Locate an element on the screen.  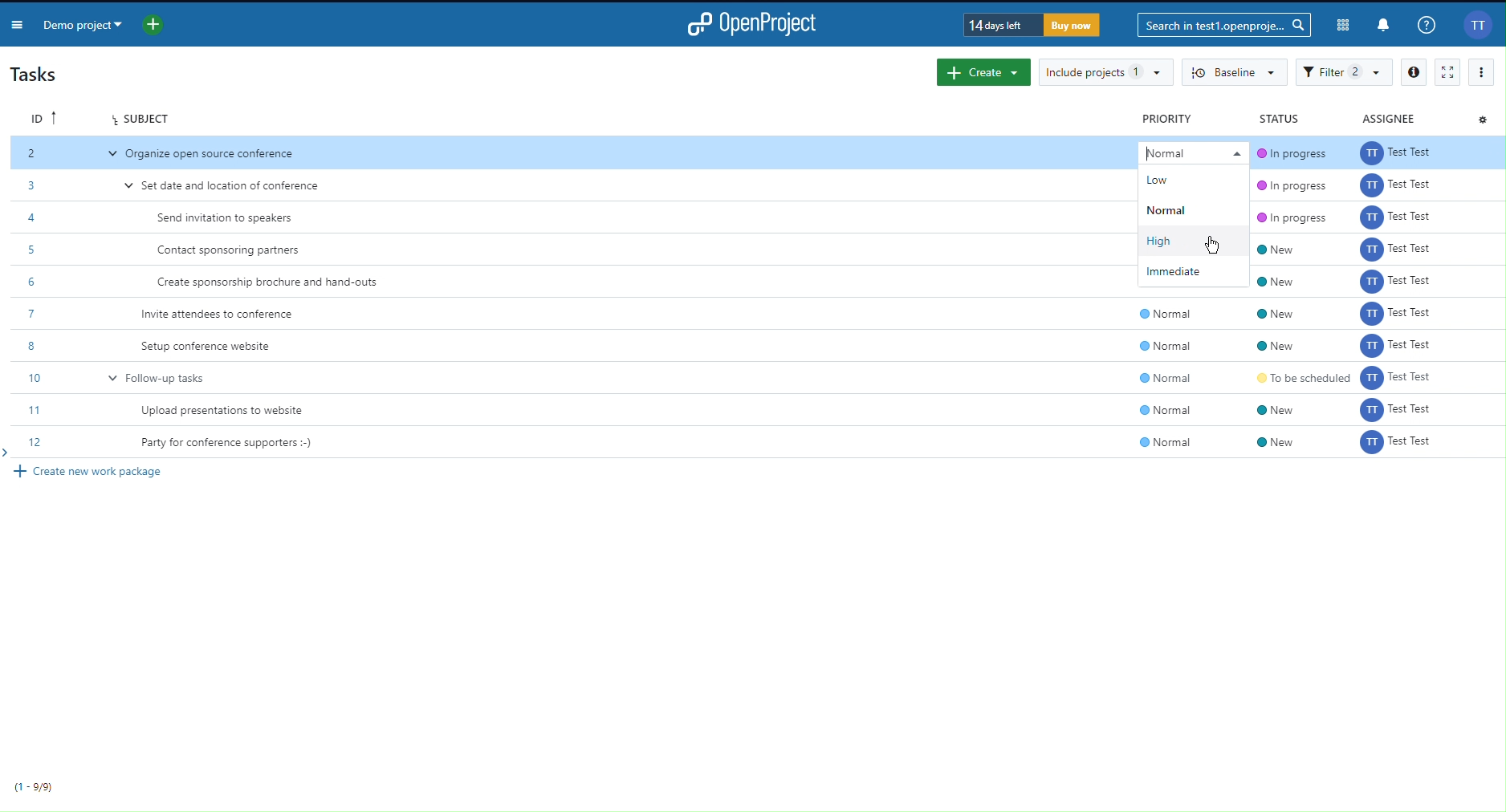
Cursor is located at coordinates (1215, 241).